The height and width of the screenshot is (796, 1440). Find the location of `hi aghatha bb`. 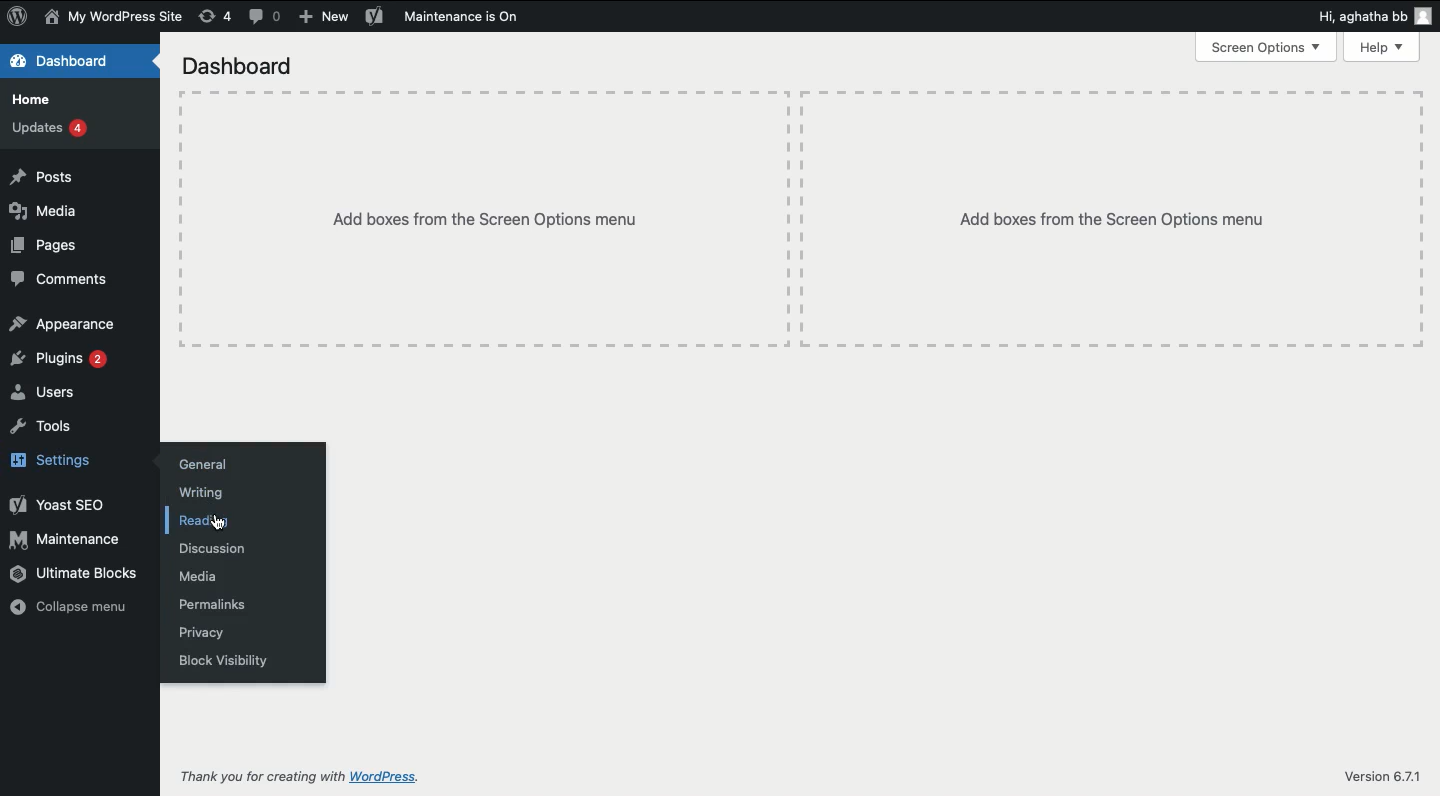

hi aghatha bb is located at coordinates (1376, 16).